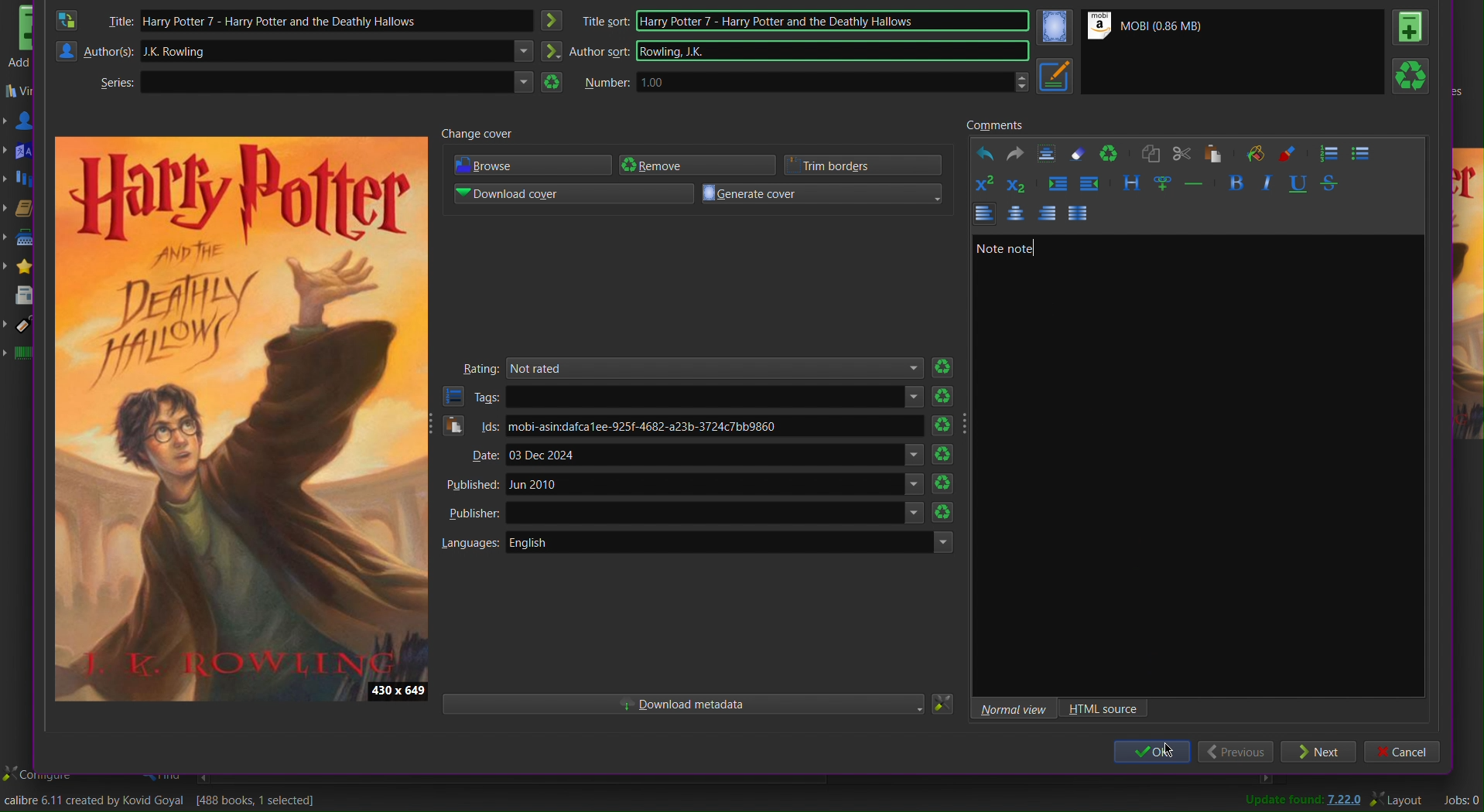  I want to click on Remove, so click(697, 166).